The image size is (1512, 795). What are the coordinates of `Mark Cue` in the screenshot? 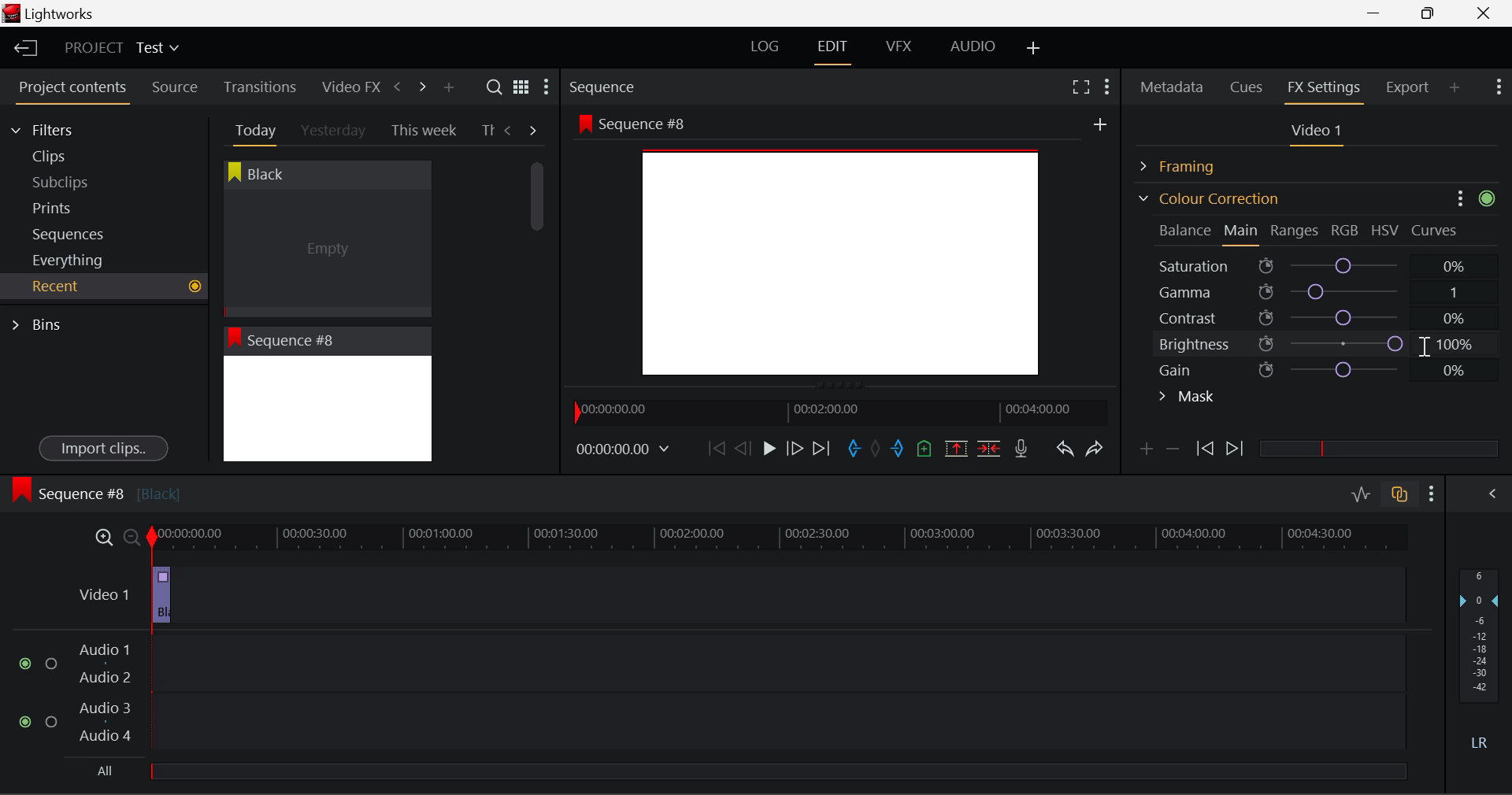 It's located at (923, 449).